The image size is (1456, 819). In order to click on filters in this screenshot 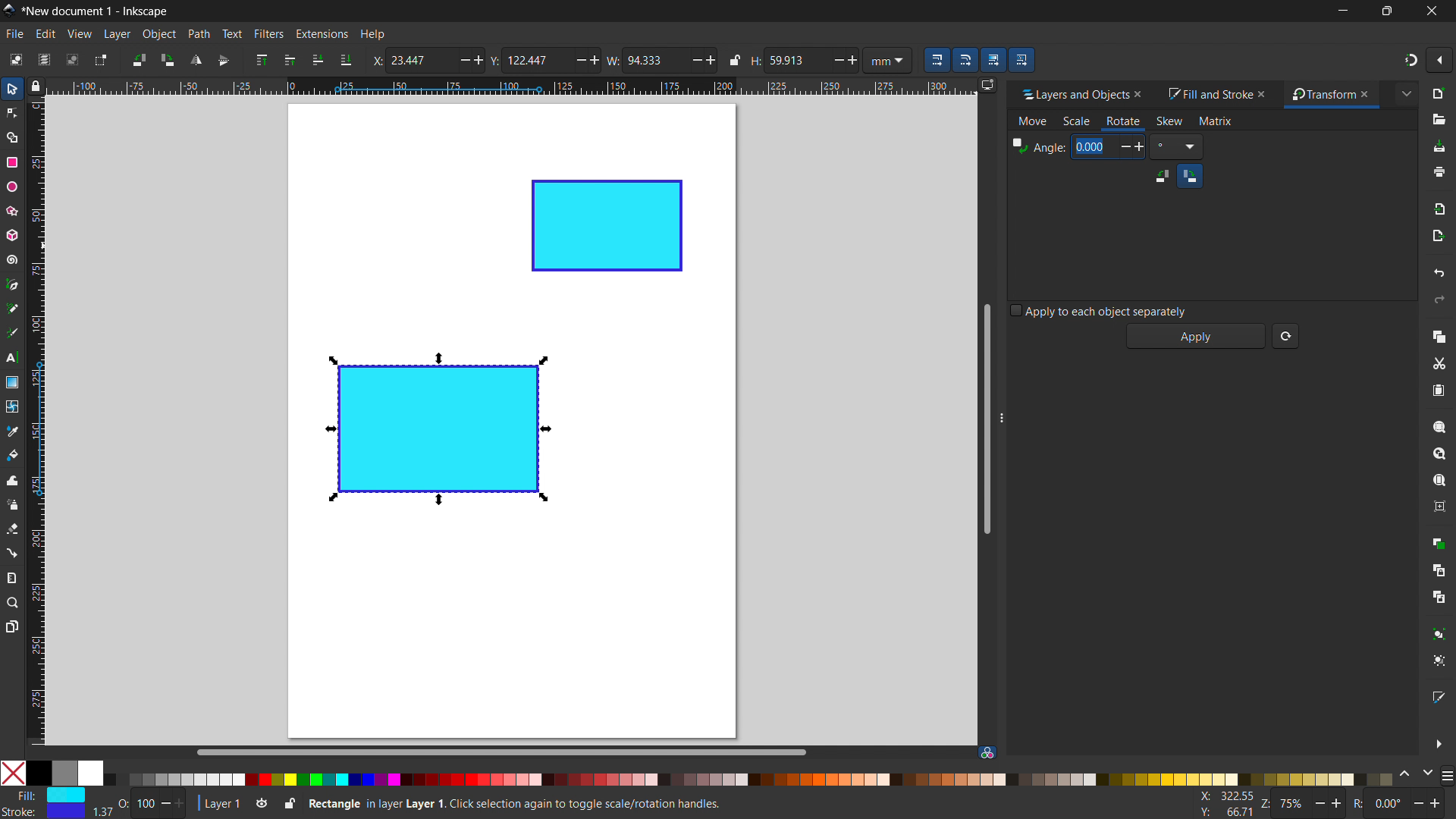, I will do `click(269, 33)`.